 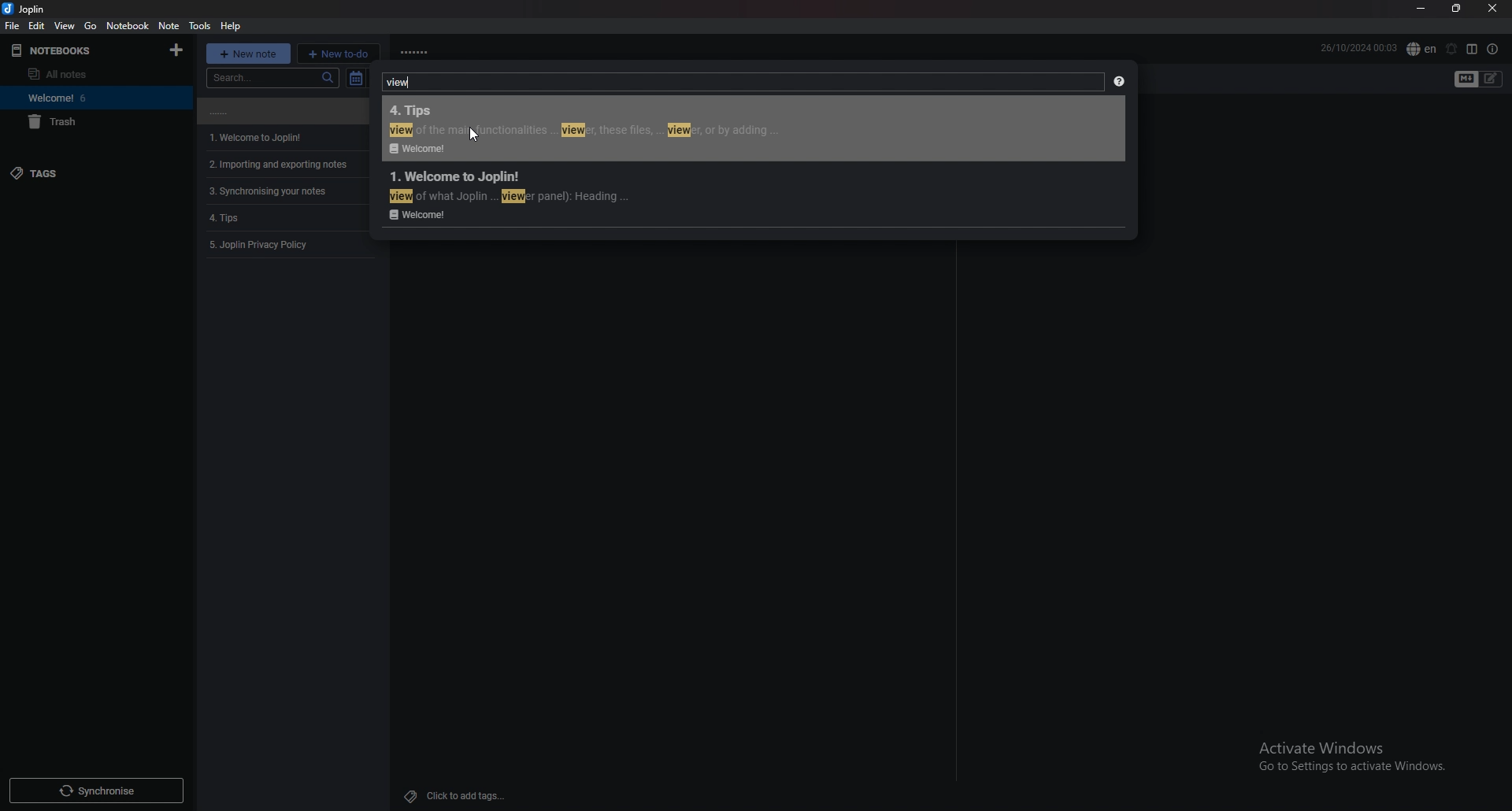 I want to click on minimize, so click(x=1422, y=9).